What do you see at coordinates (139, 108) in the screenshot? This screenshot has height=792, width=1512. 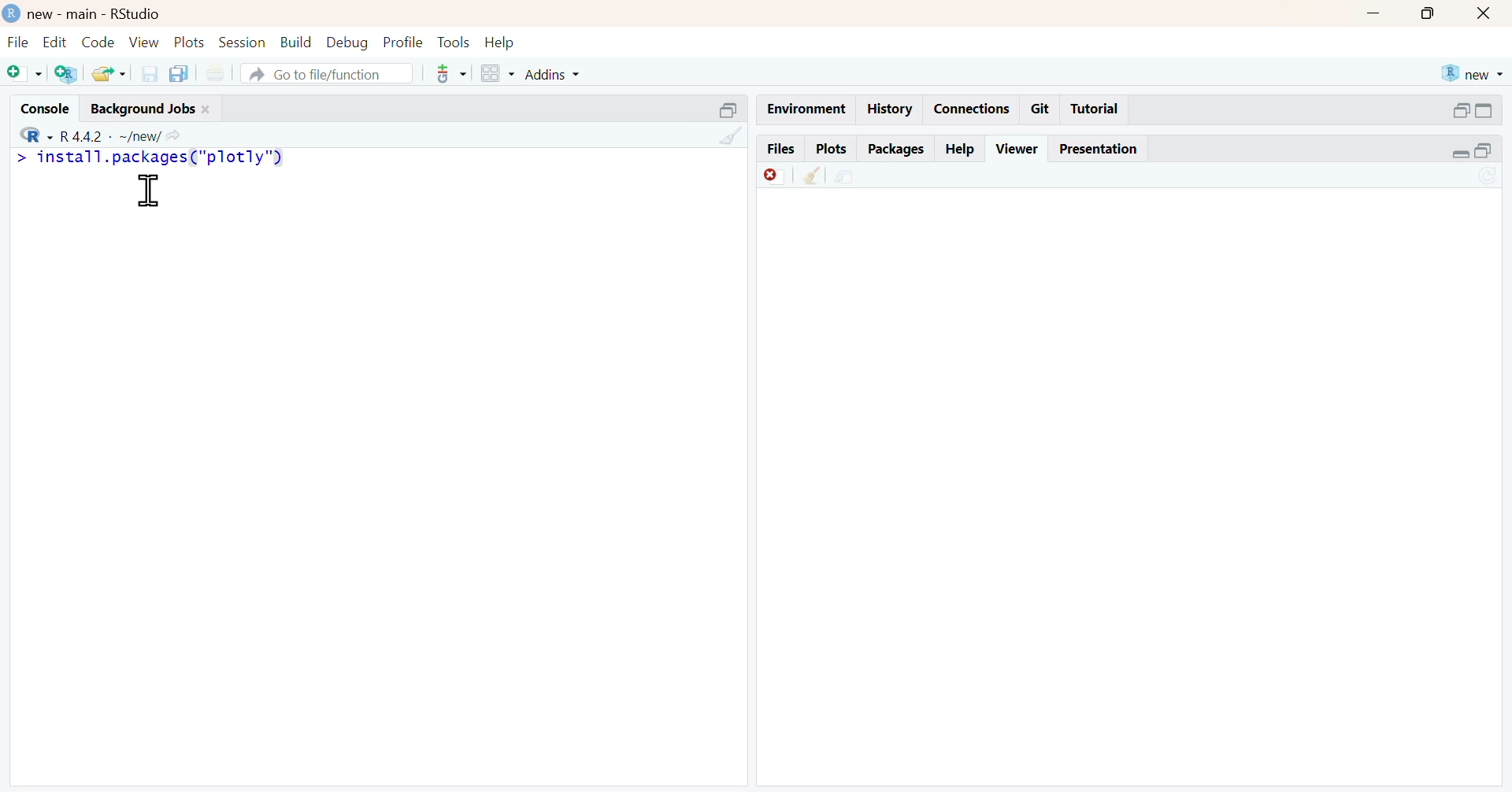 I see `background jobs` at bounding box center [139, 108].